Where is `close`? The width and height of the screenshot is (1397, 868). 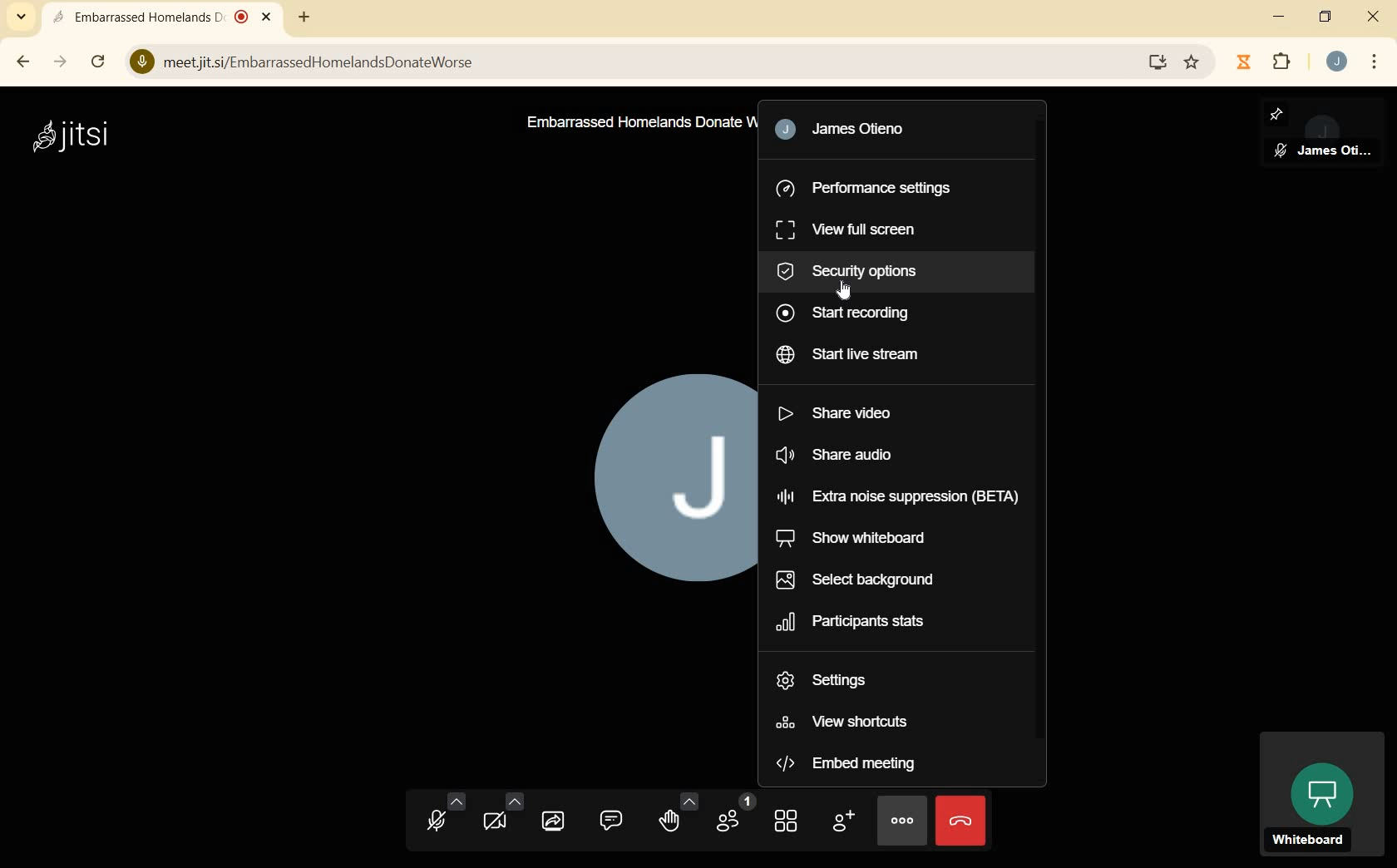
close is located at coordinates (1373, 18).